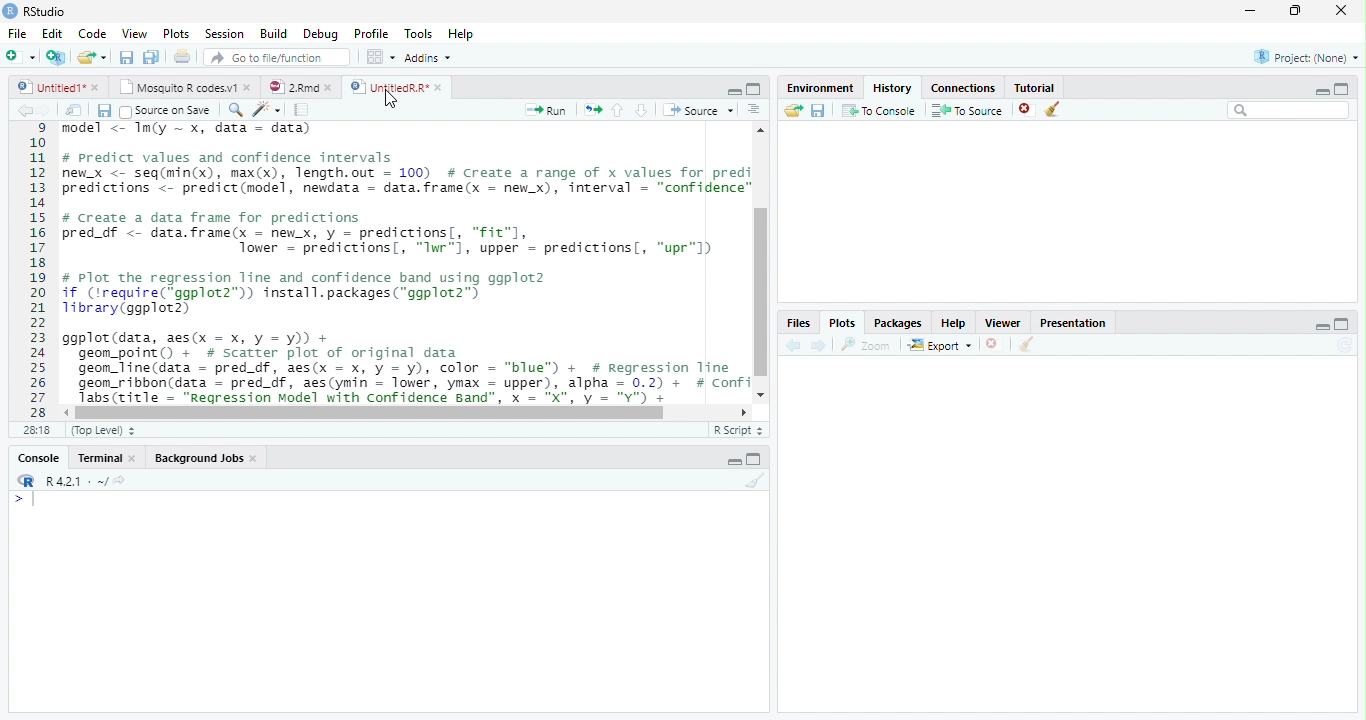 The image size is (1366, 720). I want to click on History, so click(892, 89).